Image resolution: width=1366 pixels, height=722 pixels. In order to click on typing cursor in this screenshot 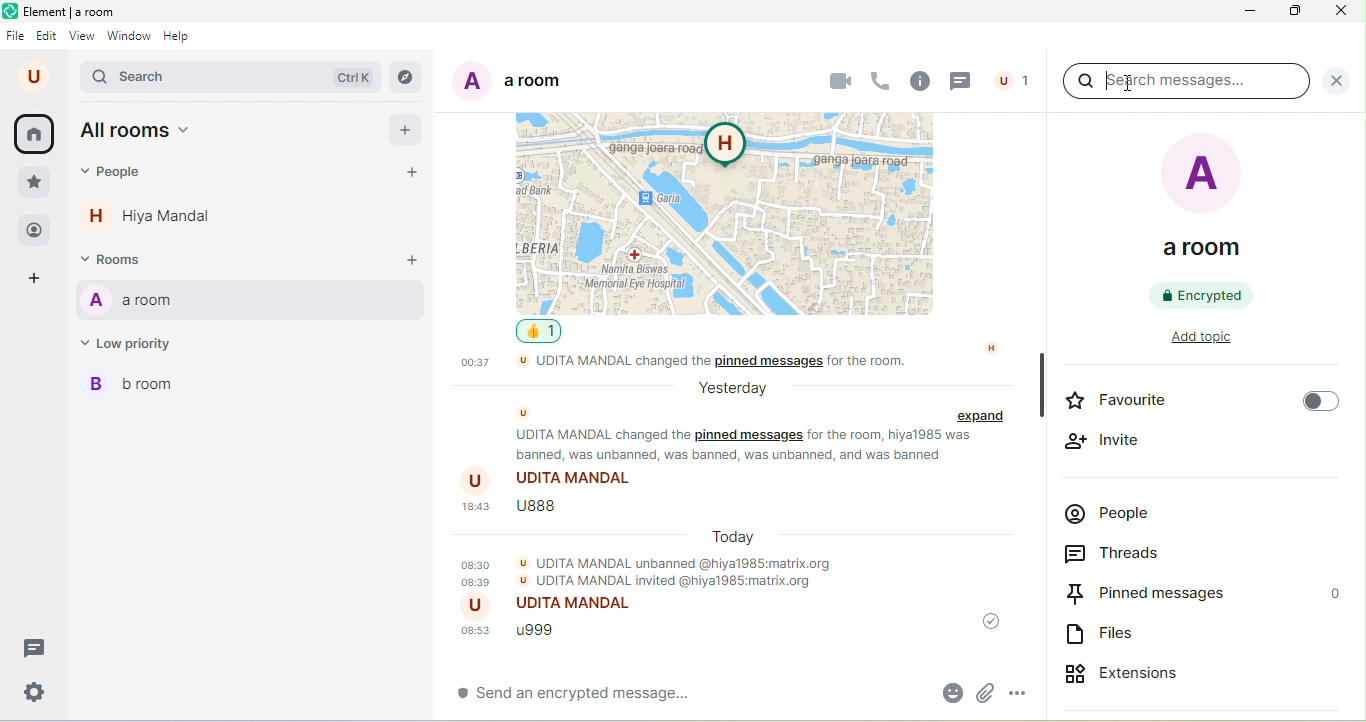, I will do `click(1106, 81)`.